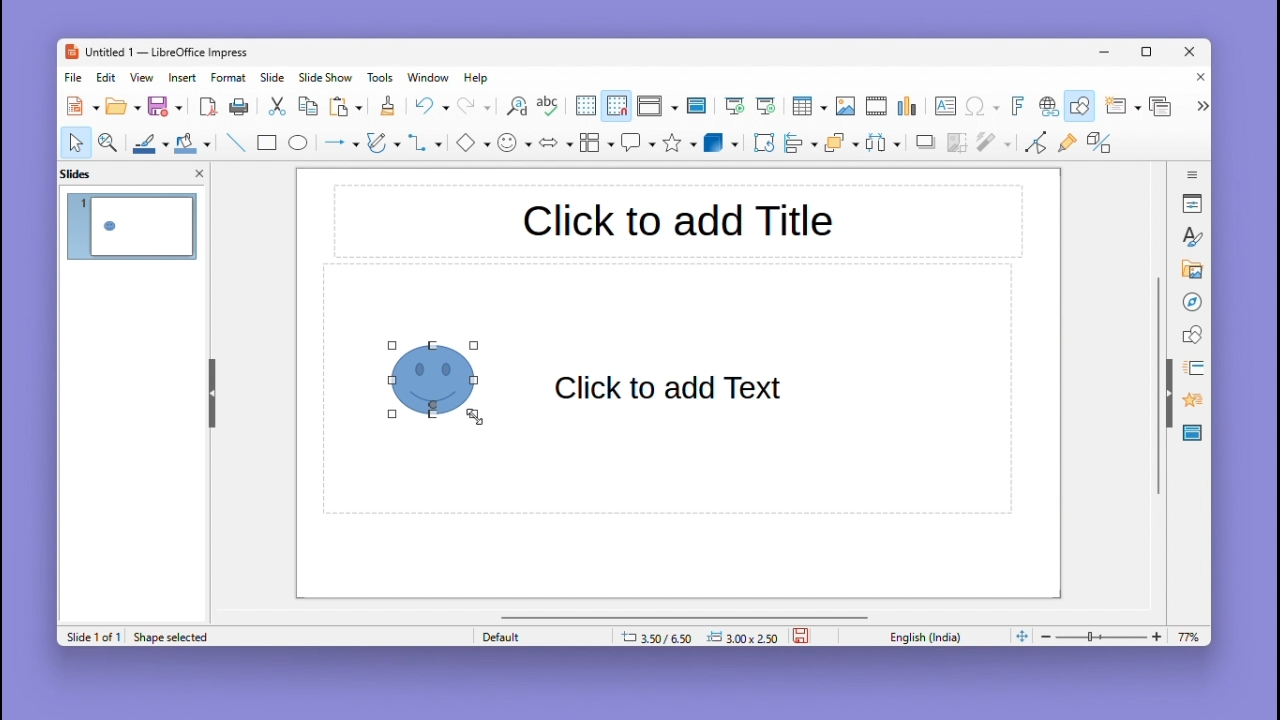 The height and width of the screenshot is (720, 1280). Describe the element at coordinates (1189, 270) in the screenshot. I see `Gallery` at that location.